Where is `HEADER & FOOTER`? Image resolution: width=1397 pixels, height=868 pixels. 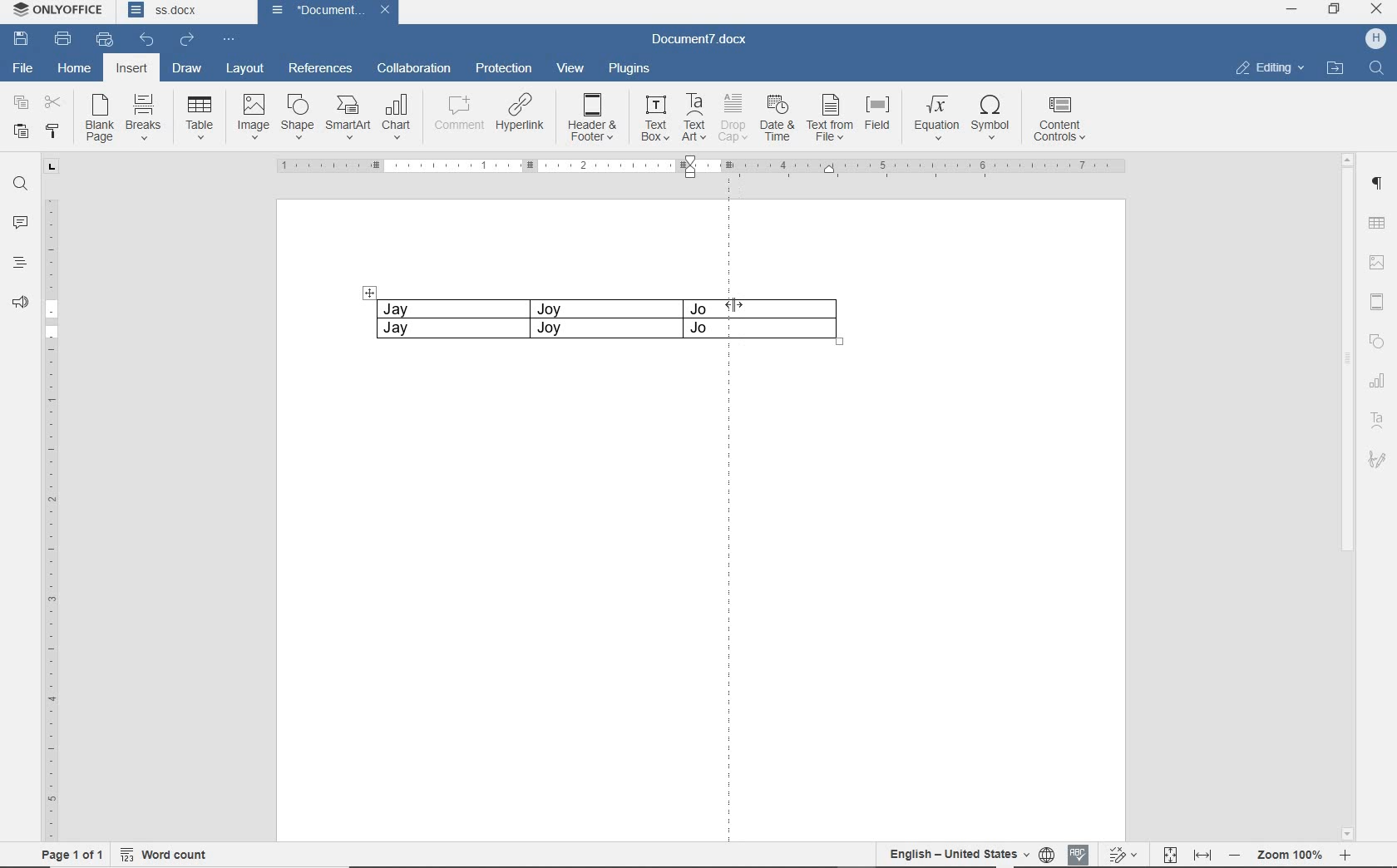 HEADER & FOOTER is located at coordinates (1377, 302).